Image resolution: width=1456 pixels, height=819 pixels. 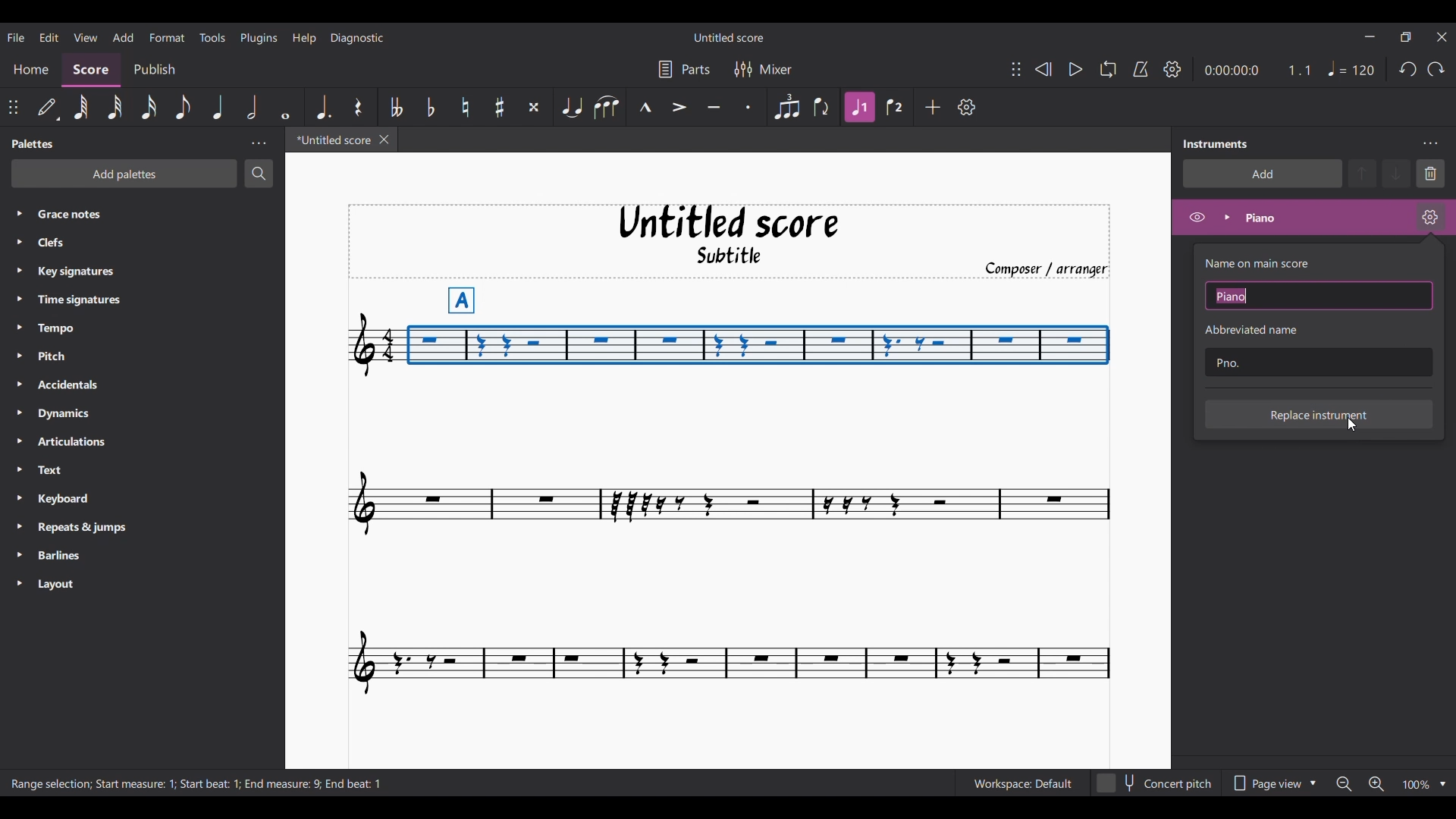 What do you see at coordinates (323, 106) in the screenshot?
I see `Augmentation dot` at bounding box center [323, 106].